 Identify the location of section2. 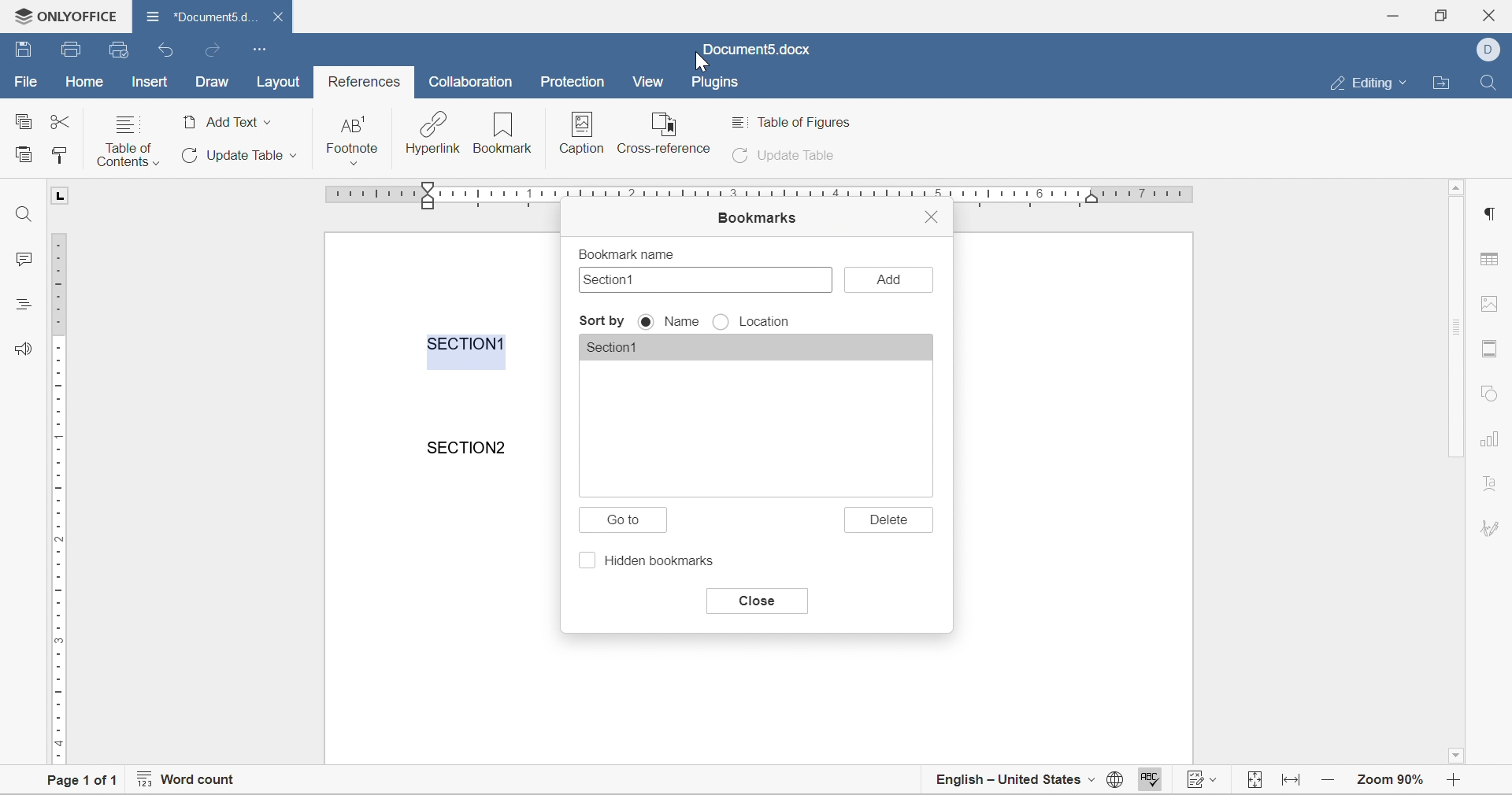
(470, 447).